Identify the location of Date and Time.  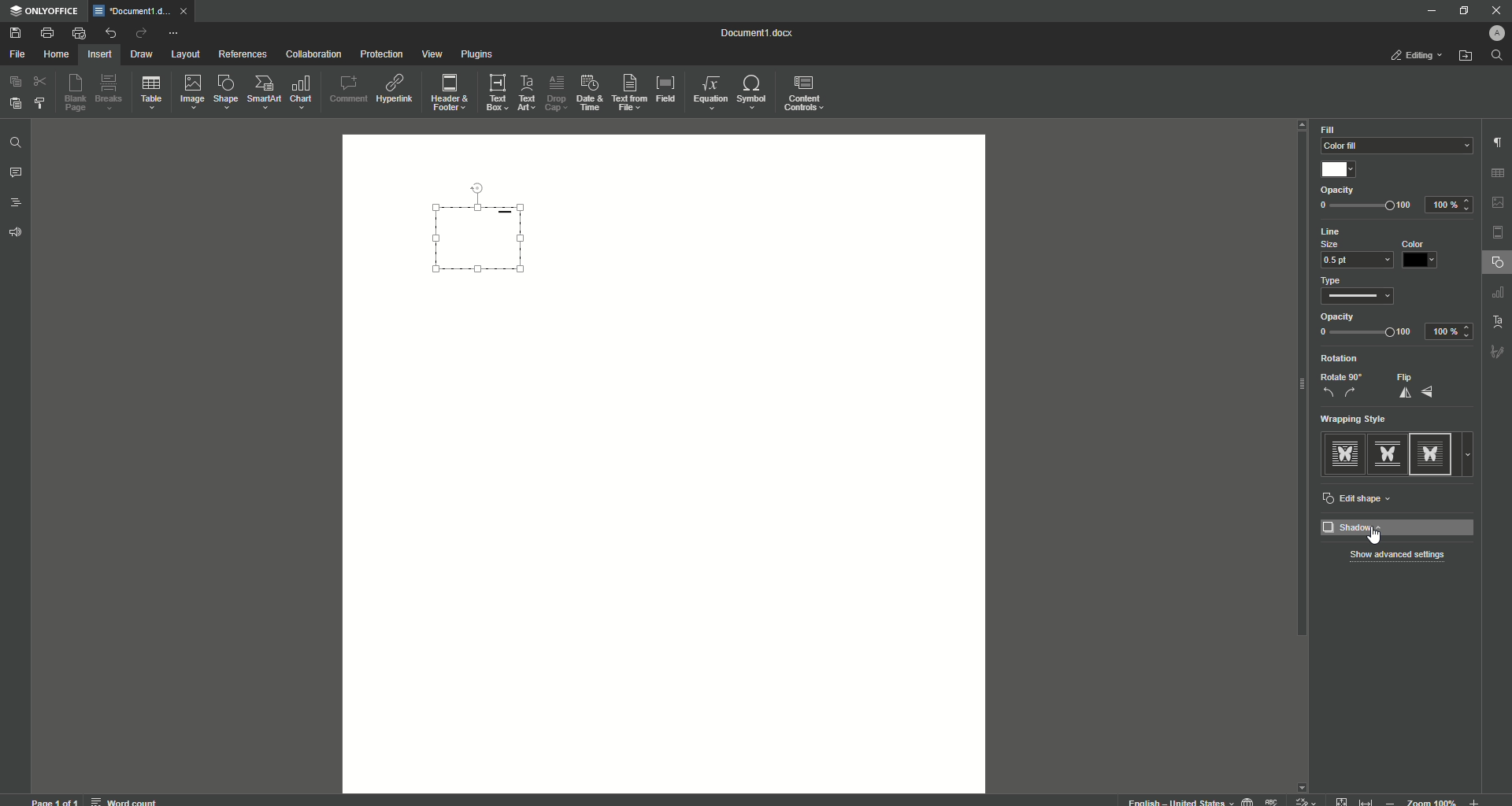
(589, 93).